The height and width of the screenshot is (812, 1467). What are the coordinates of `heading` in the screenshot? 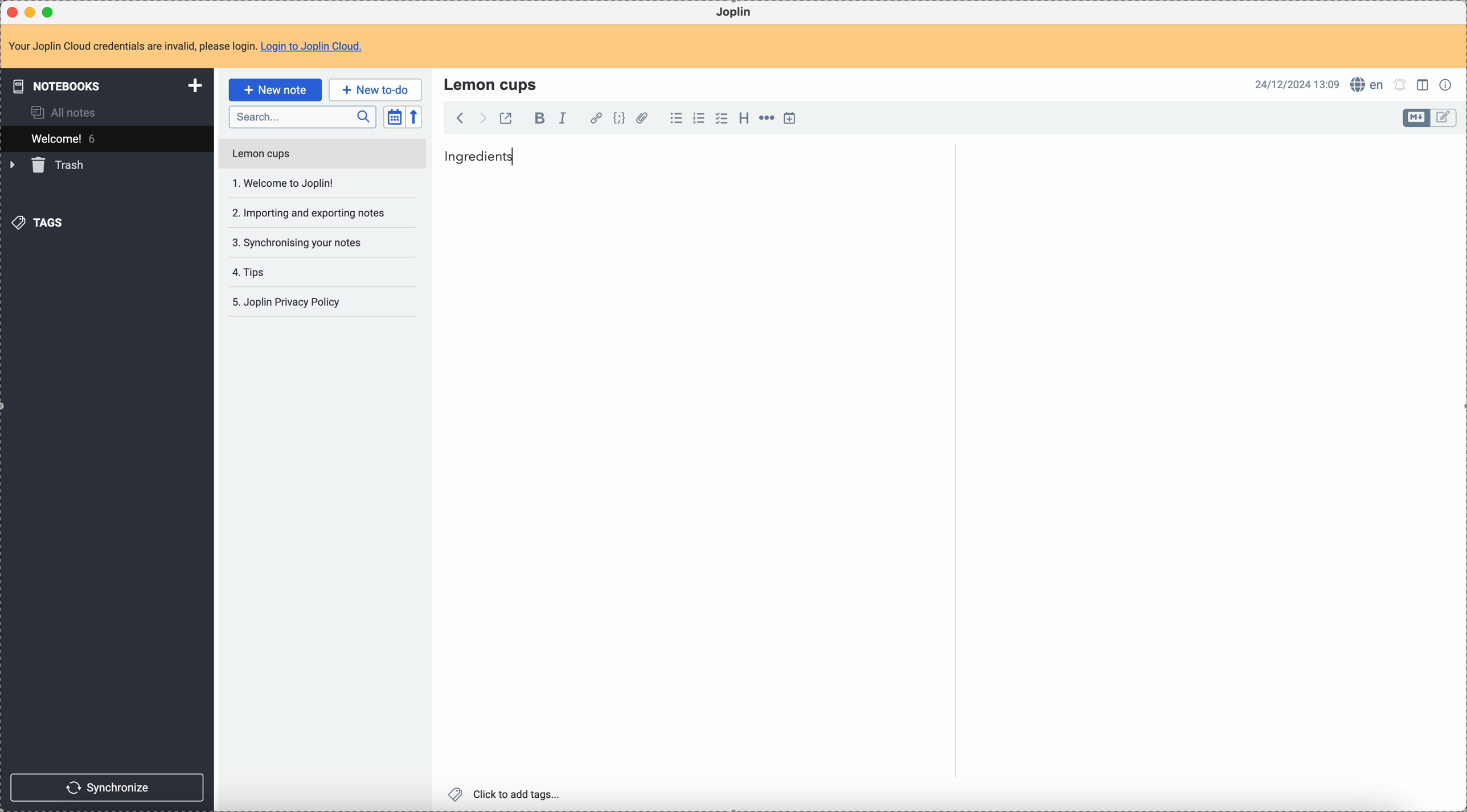 It's located at (744, 117).